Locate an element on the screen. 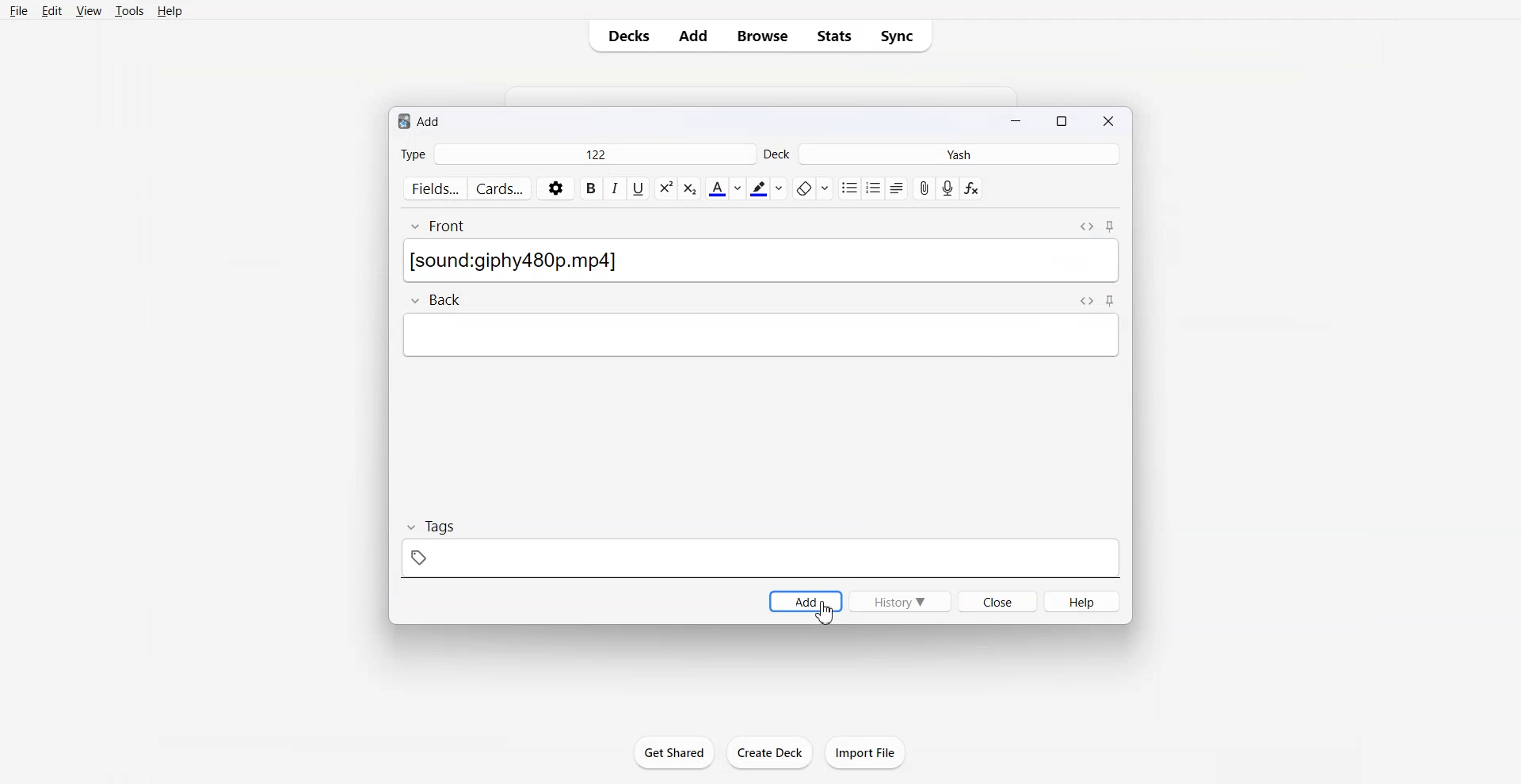 This screenshot has width=1521, height=784. Tag symbol is located at coordinates (760, 558).